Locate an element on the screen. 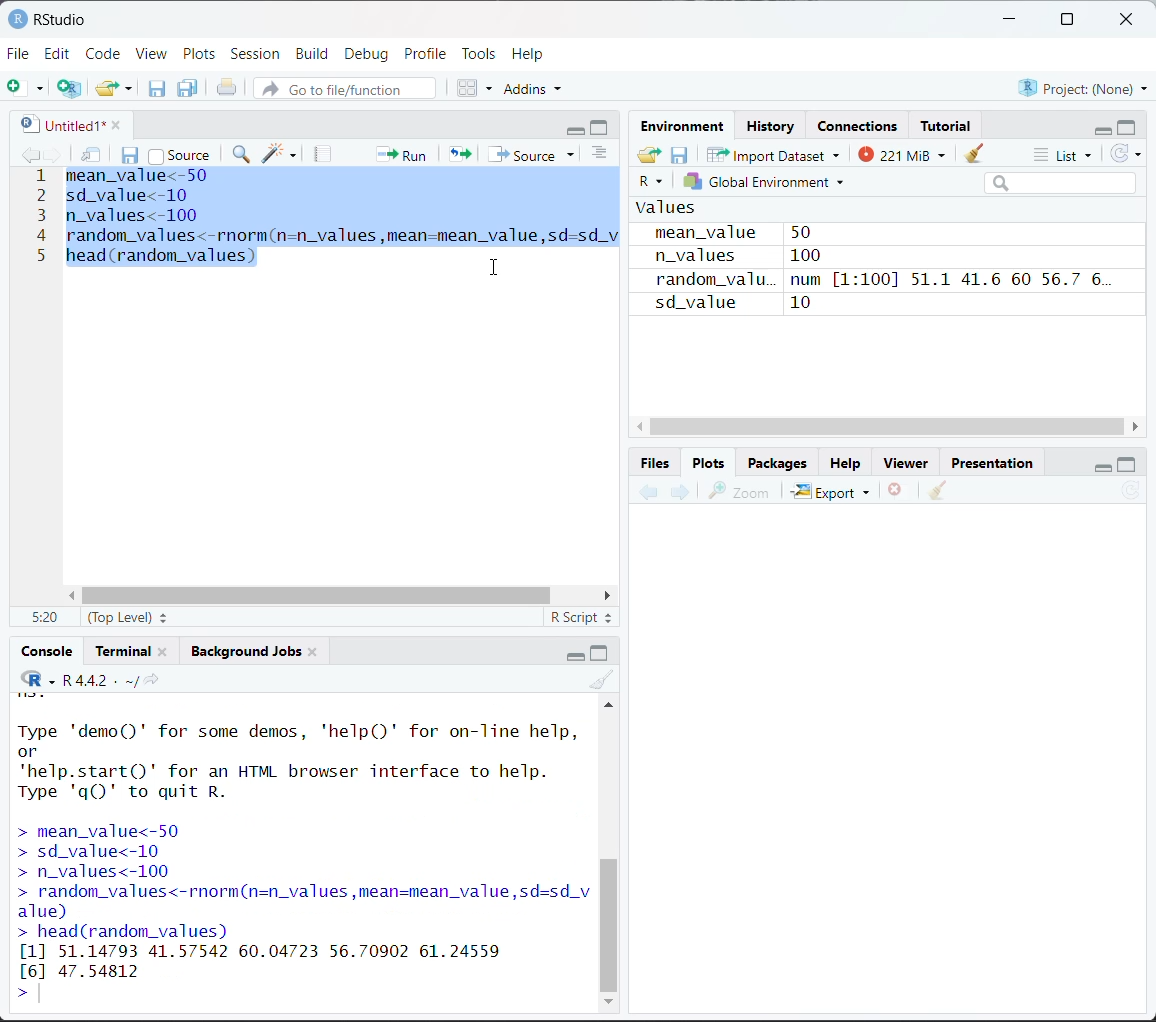  (top level) is located at coordinates (130, 617).